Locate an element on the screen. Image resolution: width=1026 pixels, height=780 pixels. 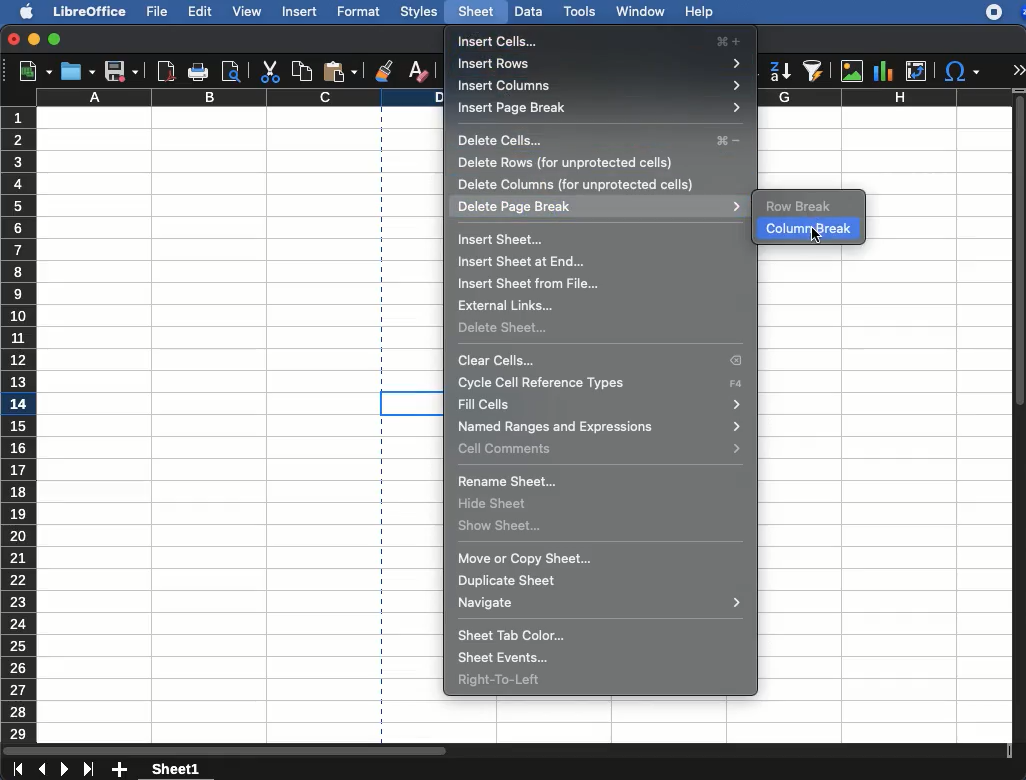
rename sheet is located at coordinates (512, 483).